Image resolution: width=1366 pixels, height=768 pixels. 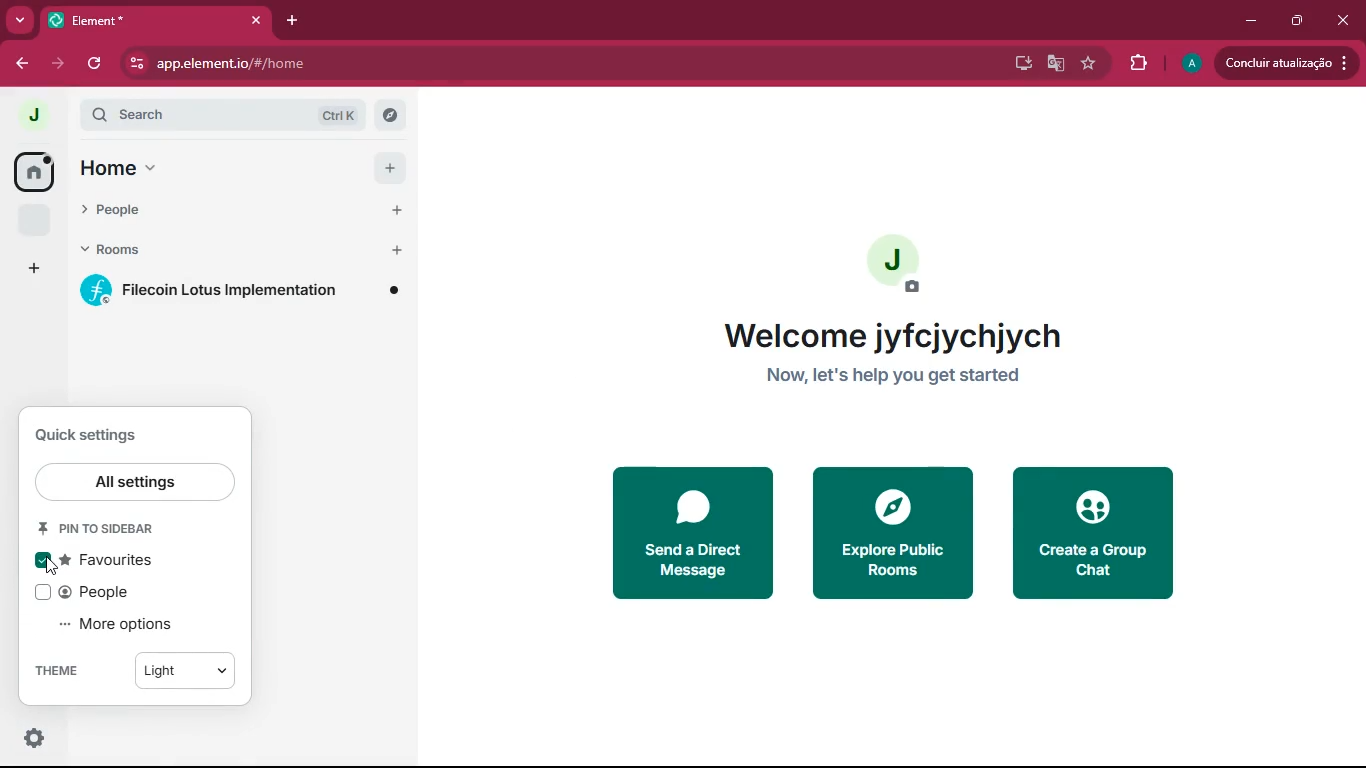 What do you see at coordinates (395, 212) in the screenshot?
I see `Add people` at bounding box center [395, 212].